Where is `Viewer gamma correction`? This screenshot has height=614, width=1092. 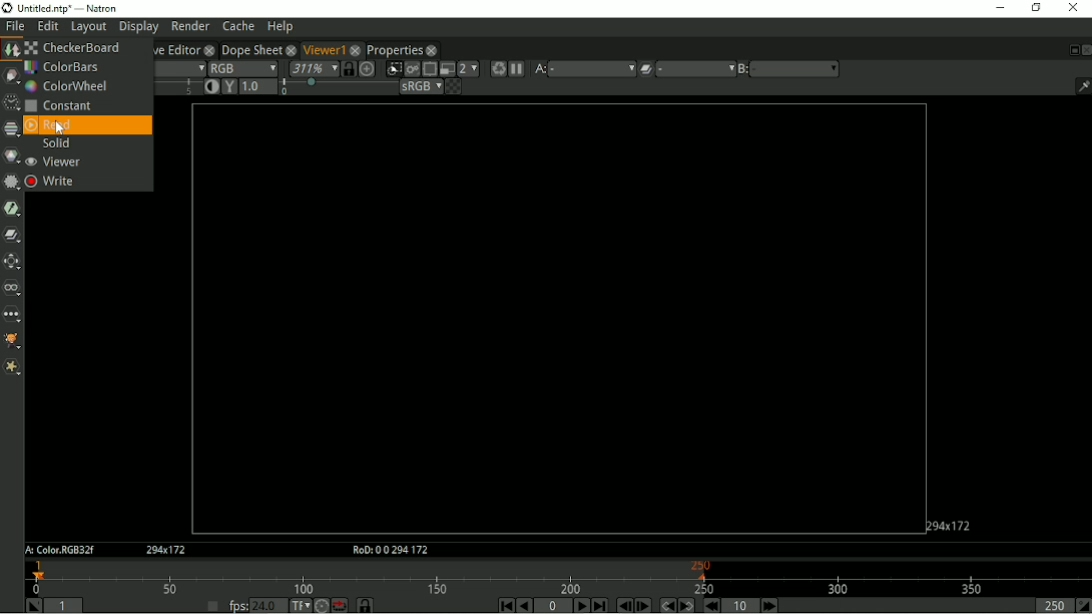 Viewer gamma correction is located at coordinates (229, 86).